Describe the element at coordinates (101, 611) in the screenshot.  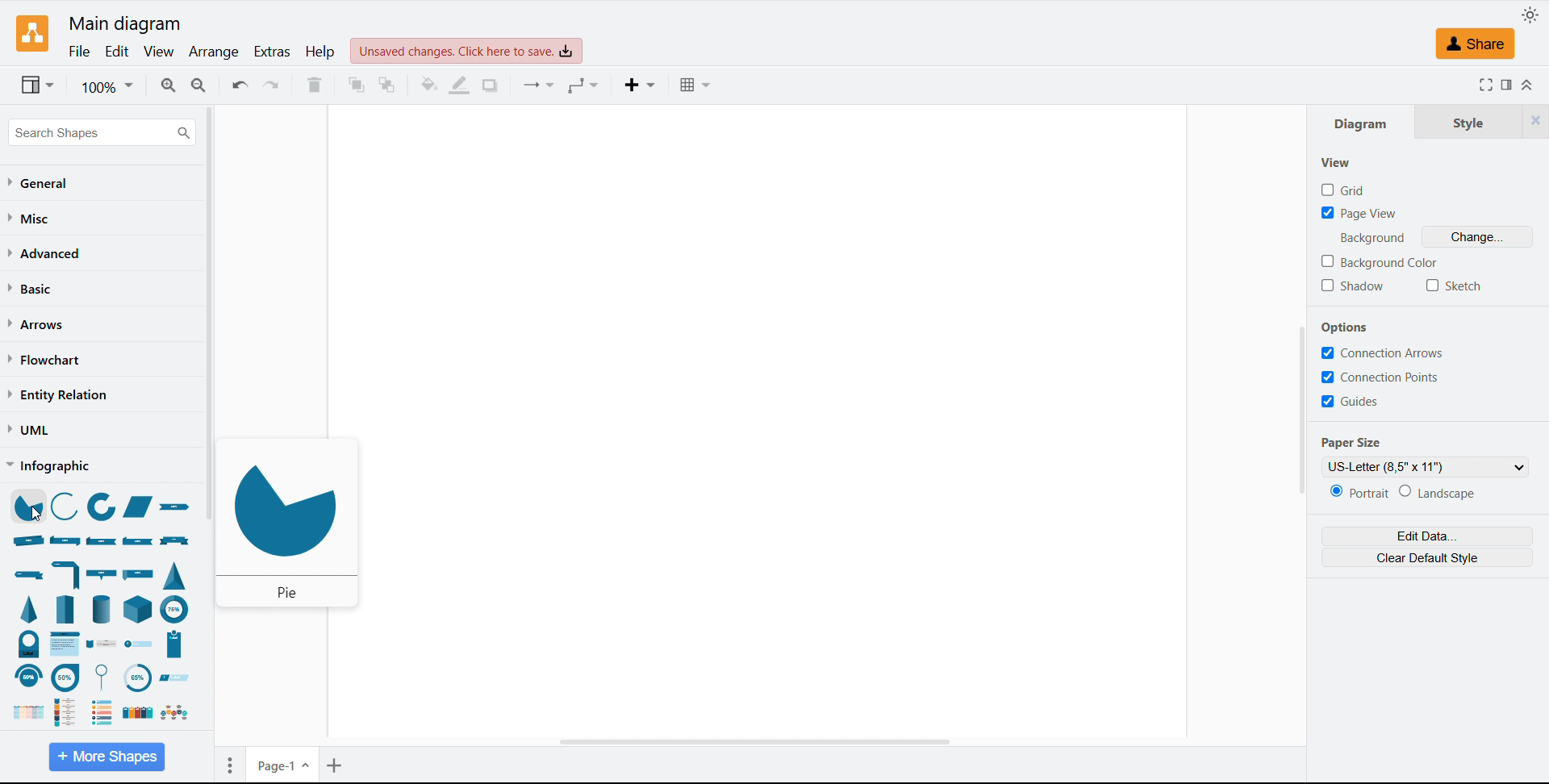
I see `cylinder` at that location.